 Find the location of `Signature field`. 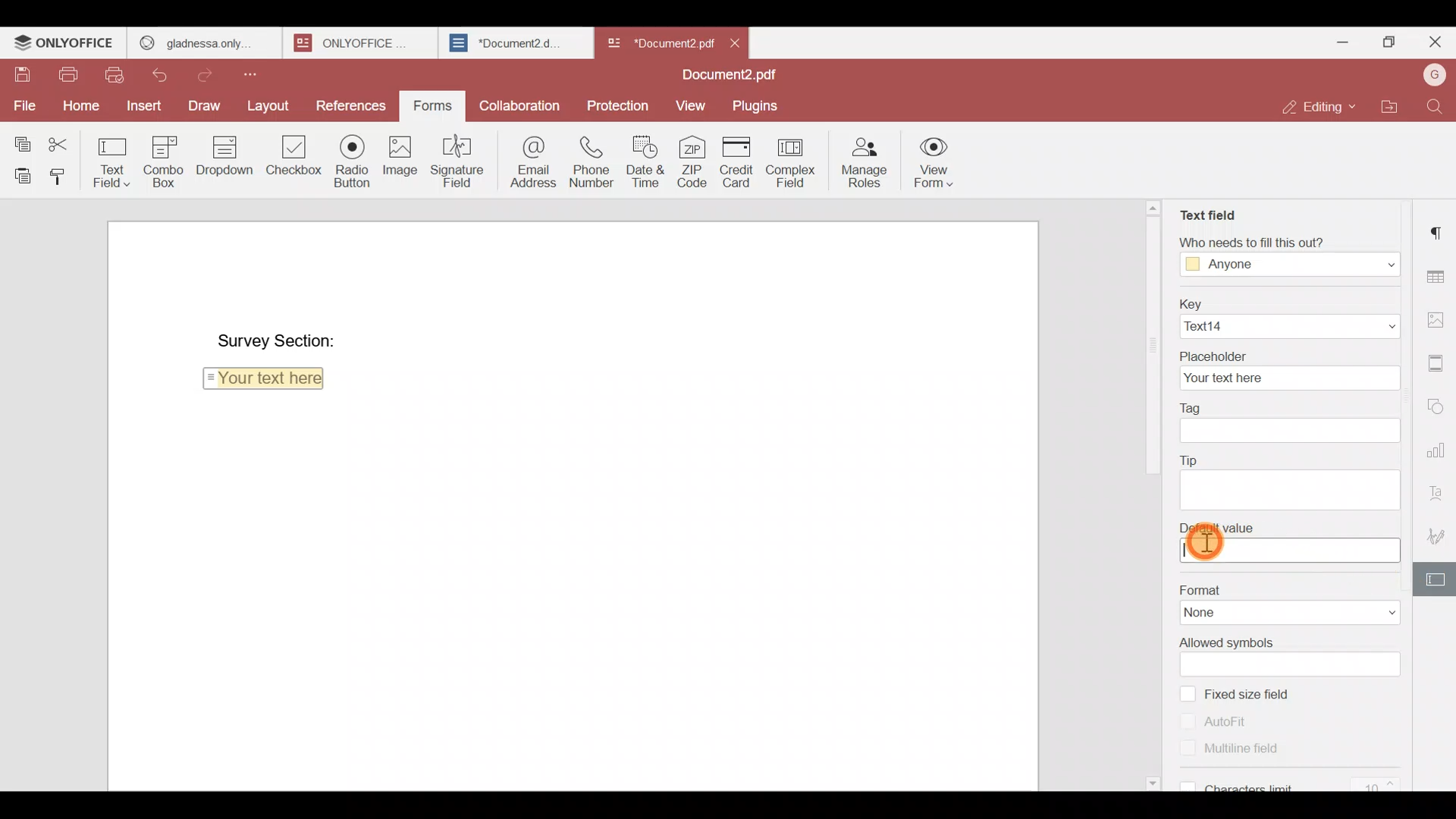

Signature field is located at coordinates (461, 160).